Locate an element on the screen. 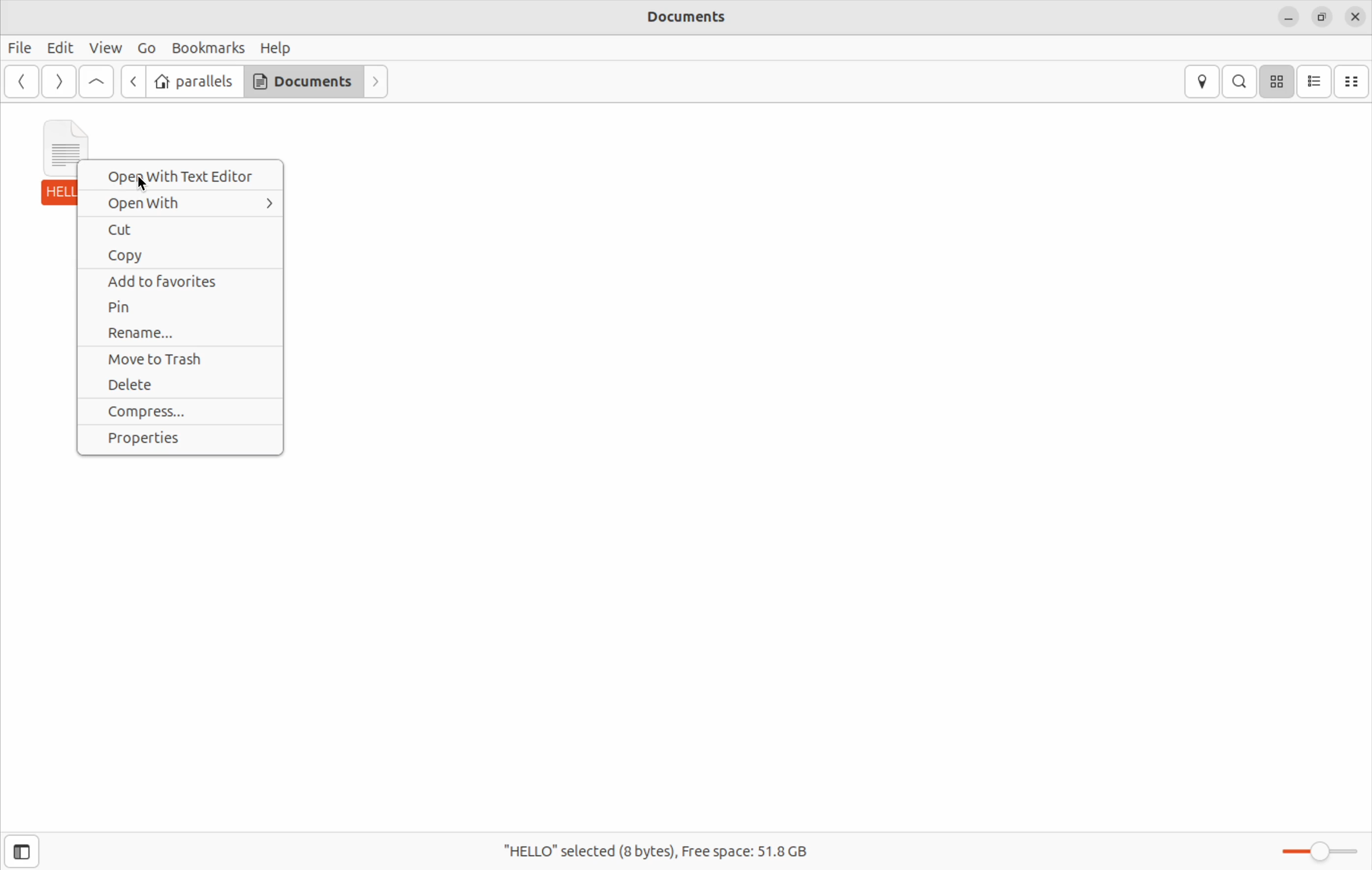 This screenshot has height=870, width=1372. Properties is located at coordinates (181, 442).